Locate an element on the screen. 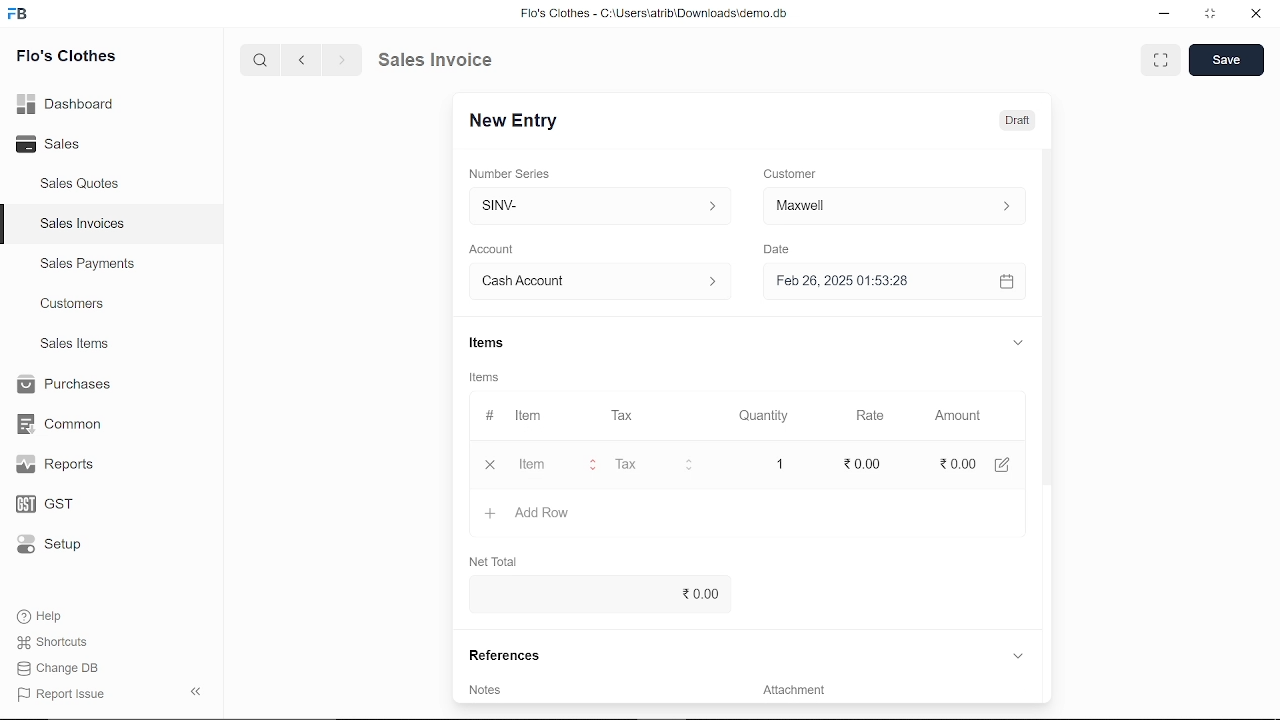 The image size is (1280, 720). Customer is located at coordinates (792, 173).